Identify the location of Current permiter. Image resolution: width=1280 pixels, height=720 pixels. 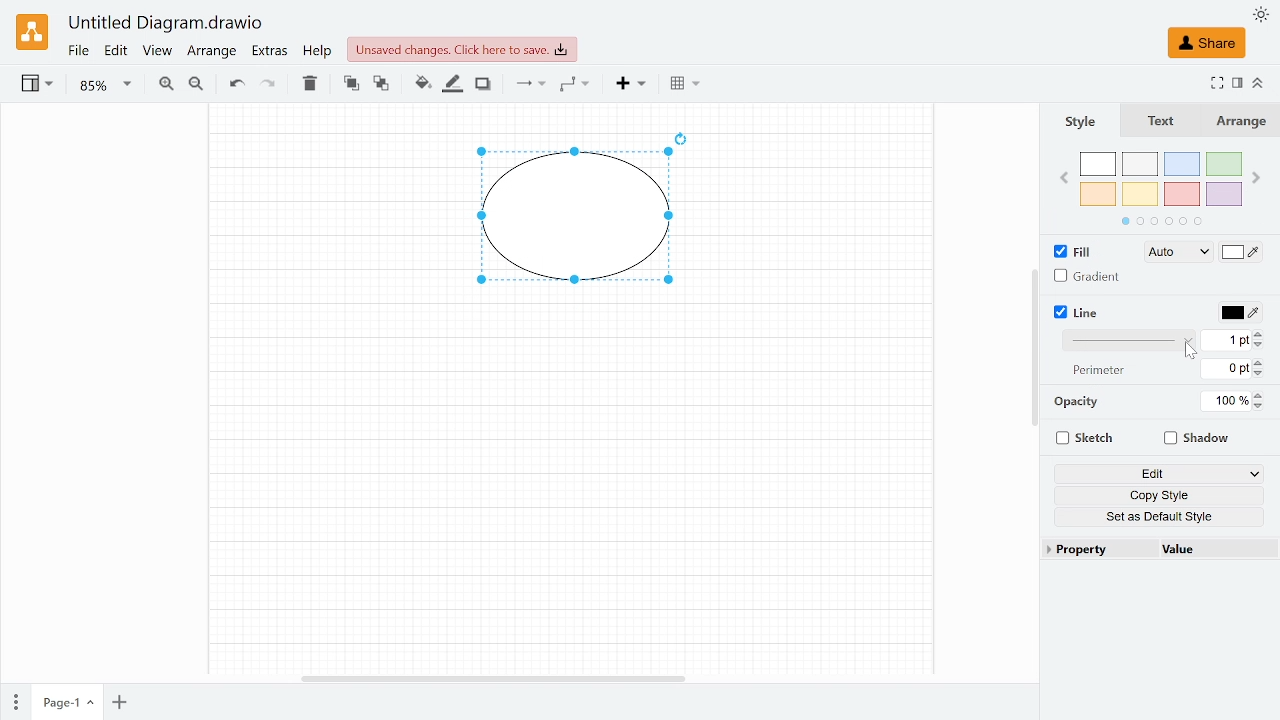
(1226, 369).